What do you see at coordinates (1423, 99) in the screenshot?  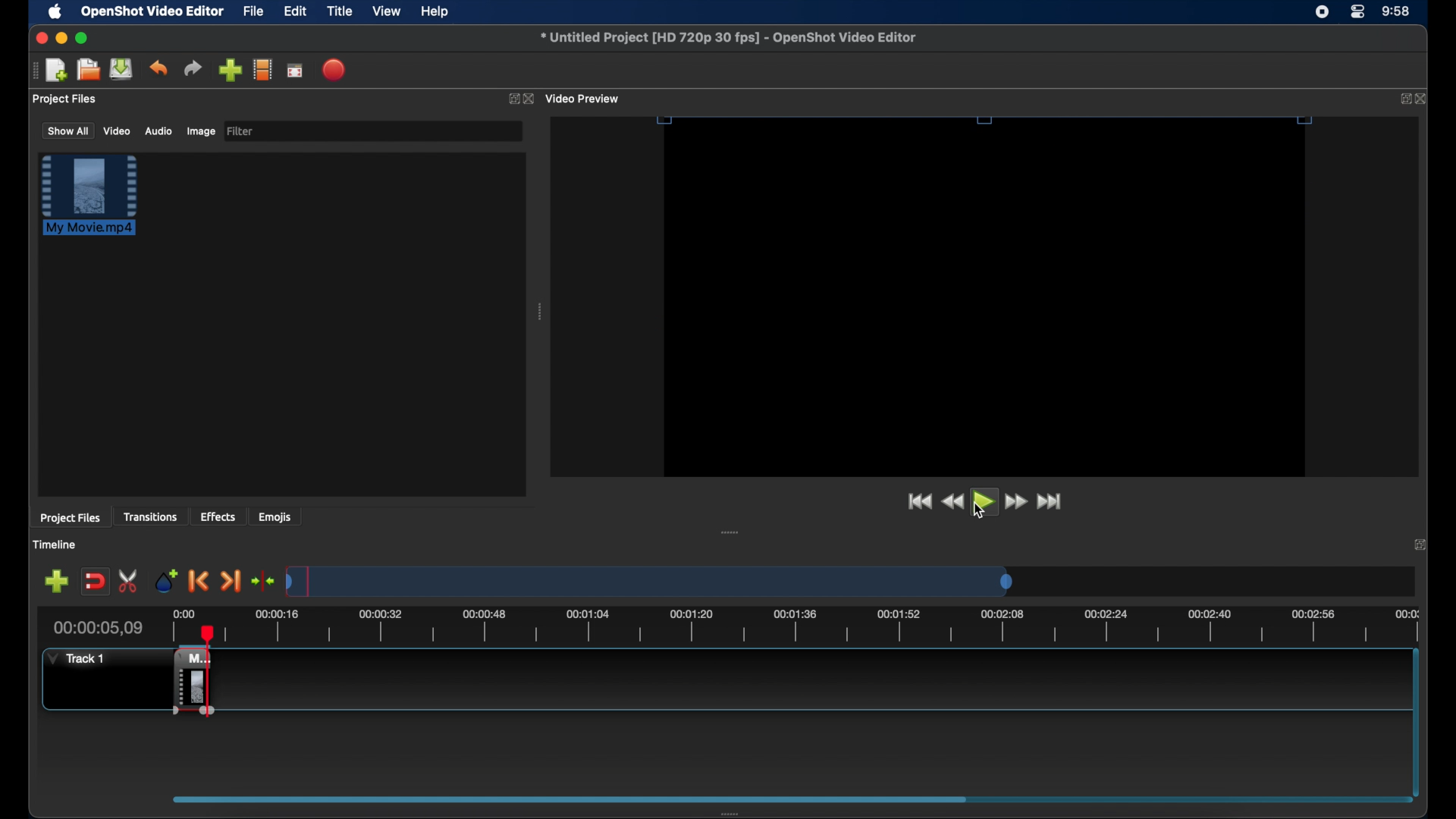 I see `close` at bounding box center [1423, 99].